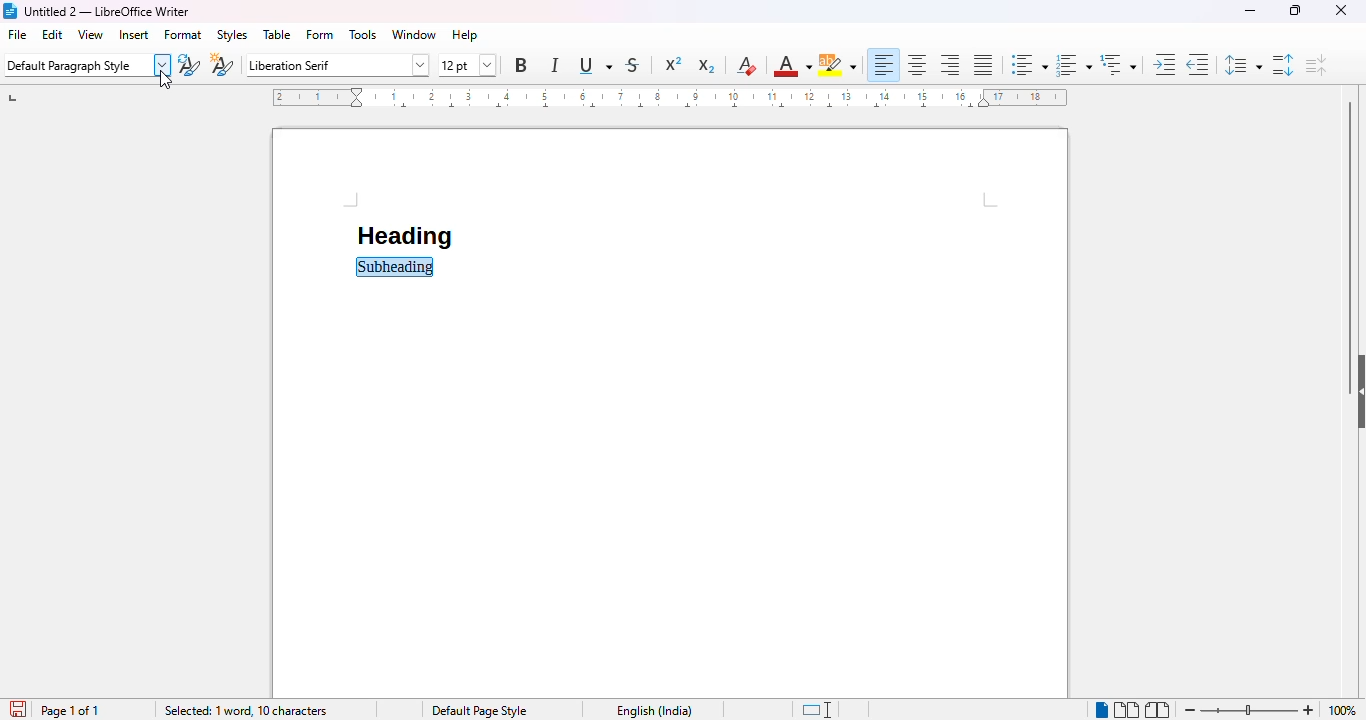  I want to click on increase indent, so click(1163, 64).